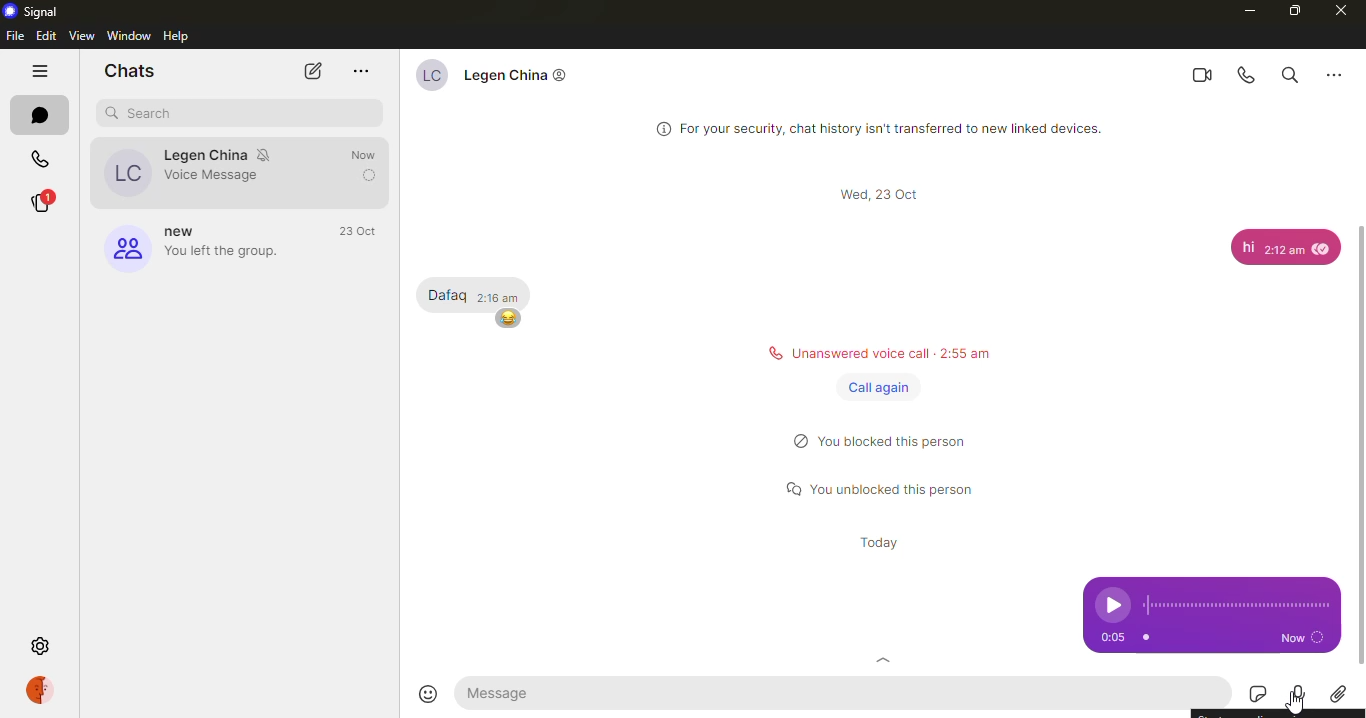  Describe the element at coordinates (1204, 73) in the screenshot. I see `video call` at that location.